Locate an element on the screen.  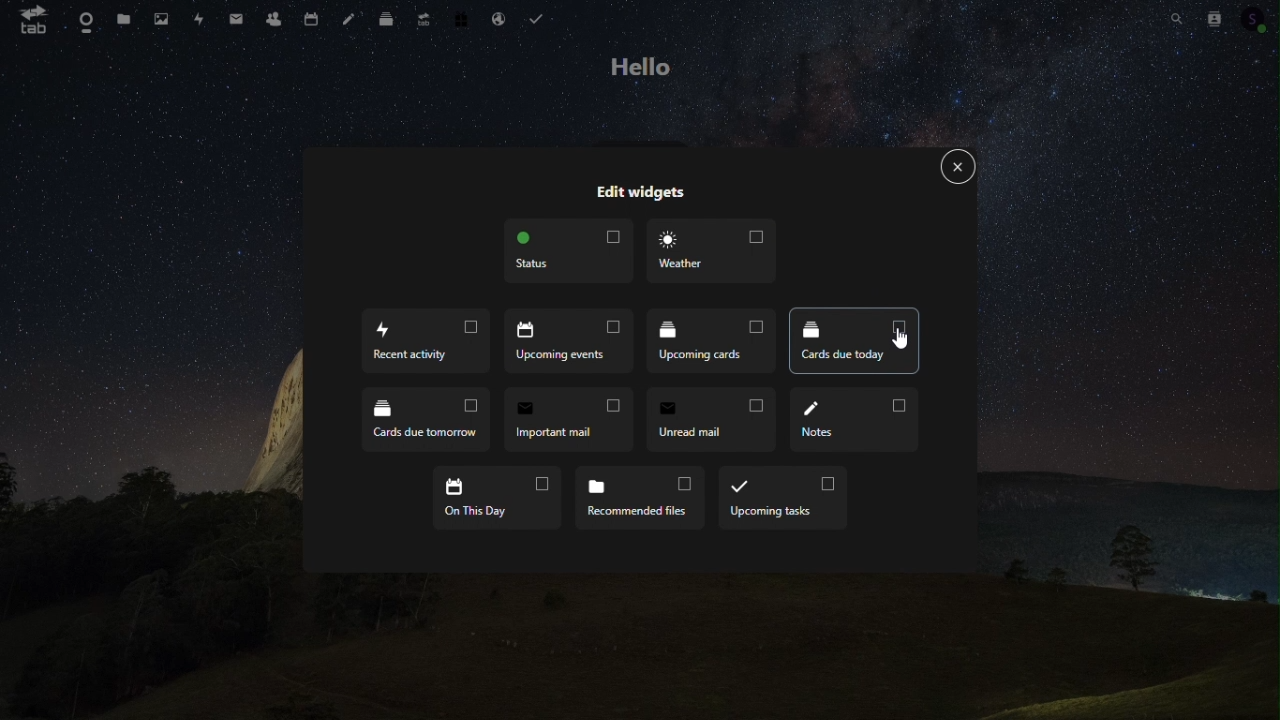
Email hosting is located at coordinates (498, 17).